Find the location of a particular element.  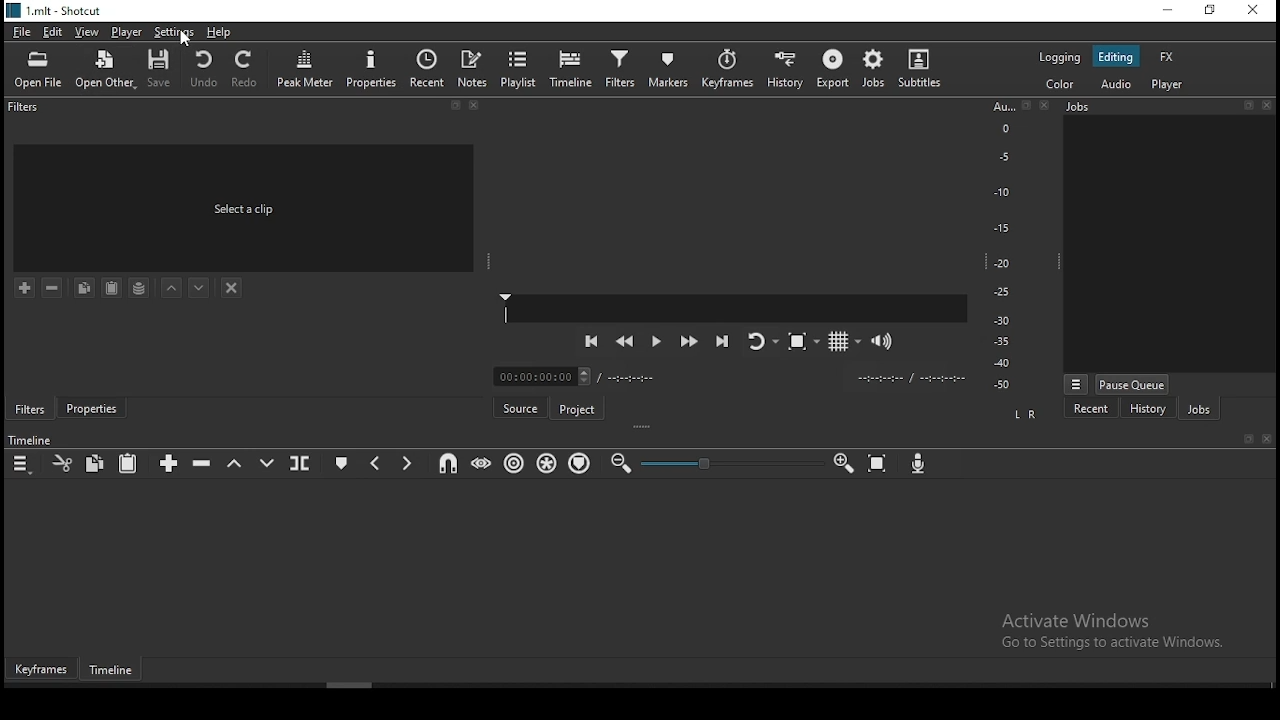

Left and Right is located at coordinates (1028, 414).